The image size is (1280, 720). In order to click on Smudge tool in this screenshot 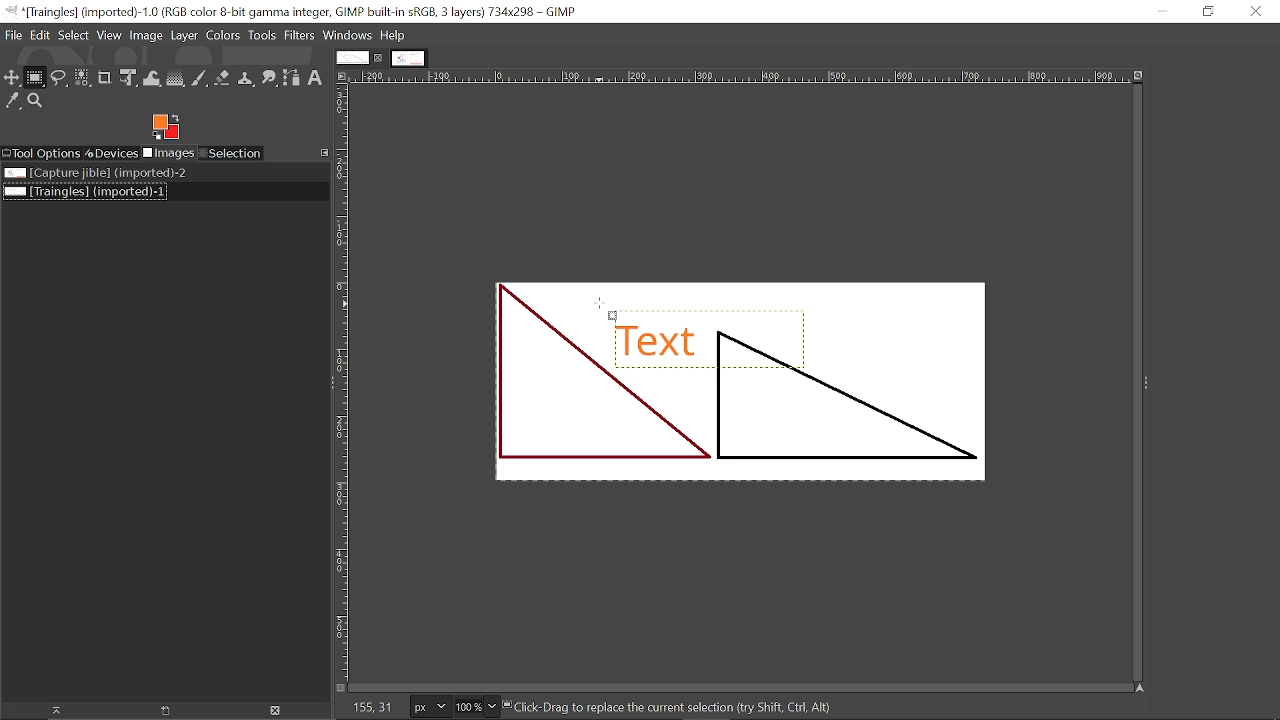, I will do `click(270, 80)`.